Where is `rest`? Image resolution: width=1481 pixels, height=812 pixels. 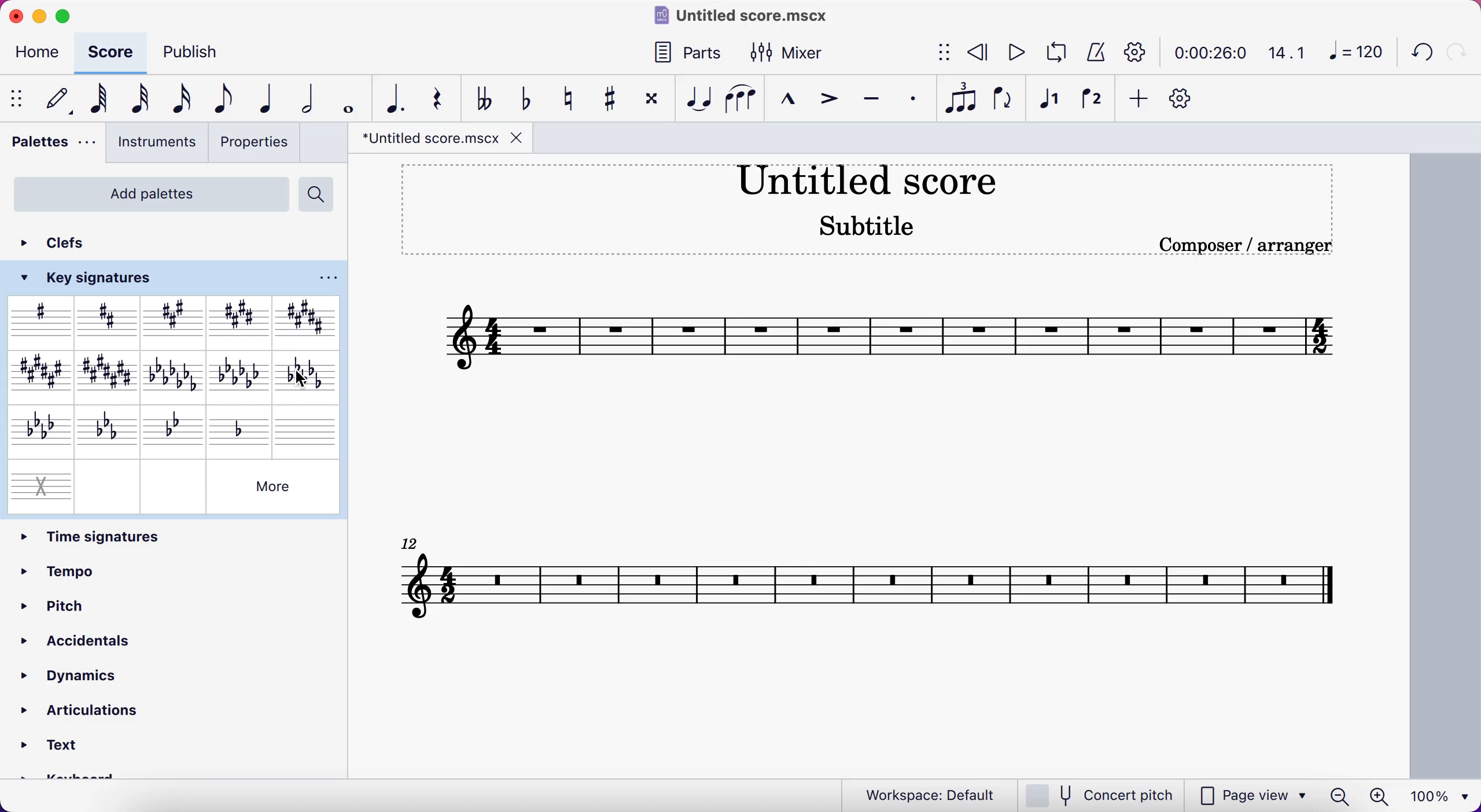
rest is located at coordinates (443, 96).